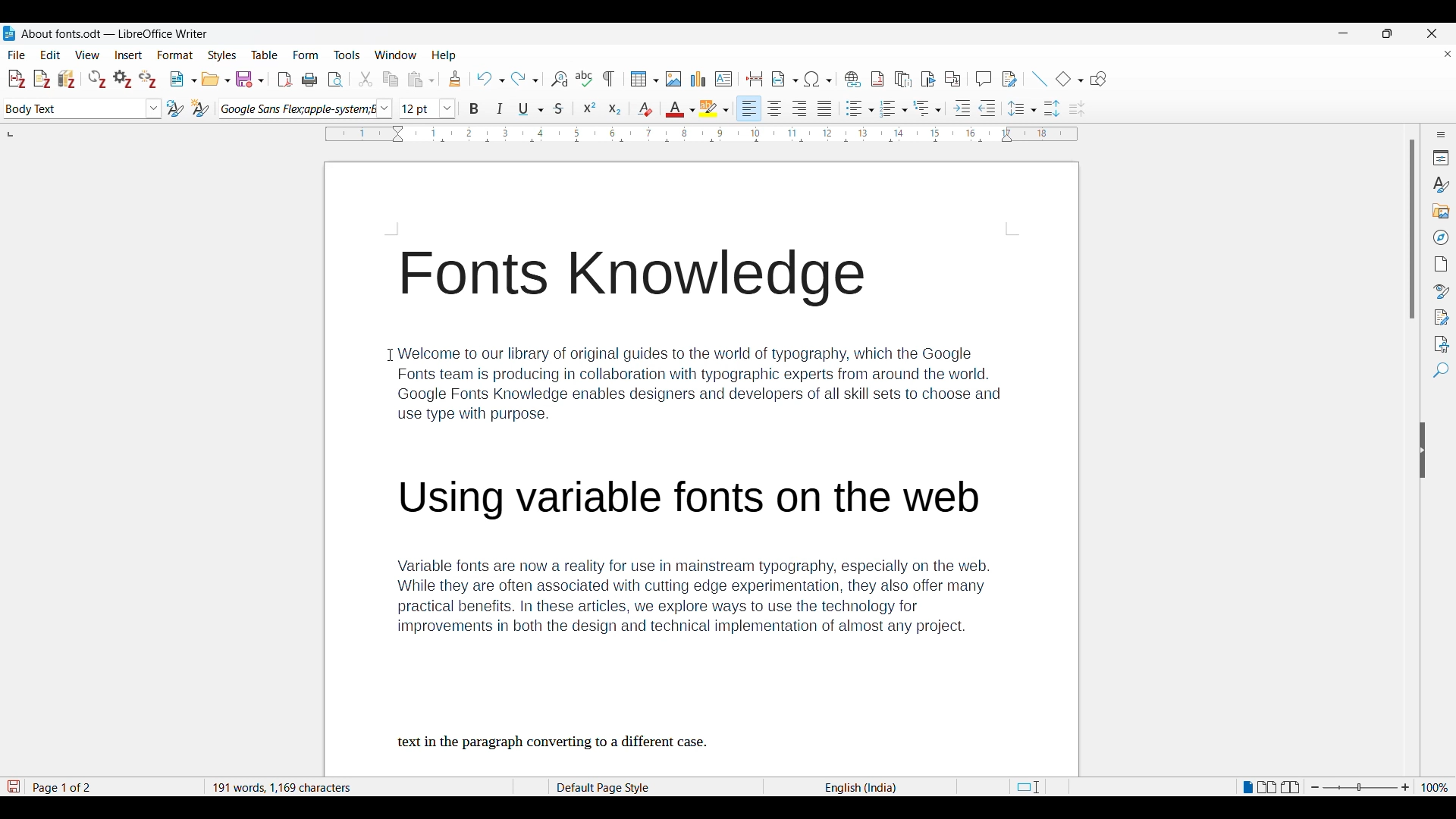 This screenshot has width=1456, height=819. Describe the element at coordinates (928, 80) in the screenshot. I see `Insert bookmark` at that location.